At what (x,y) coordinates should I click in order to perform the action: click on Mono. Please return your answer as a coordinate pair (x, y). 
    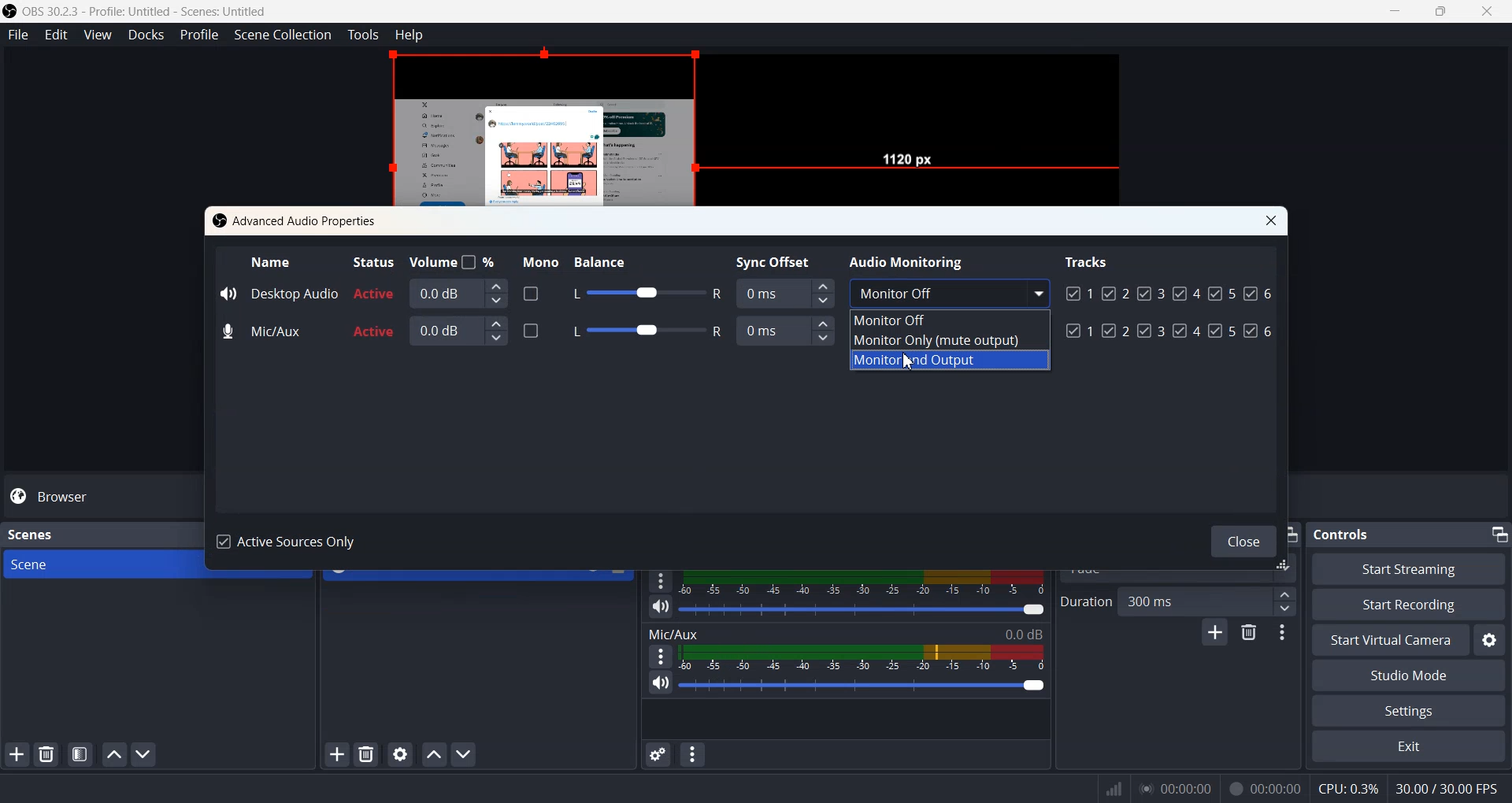
    Looking at the image, I should click on (536, 260).